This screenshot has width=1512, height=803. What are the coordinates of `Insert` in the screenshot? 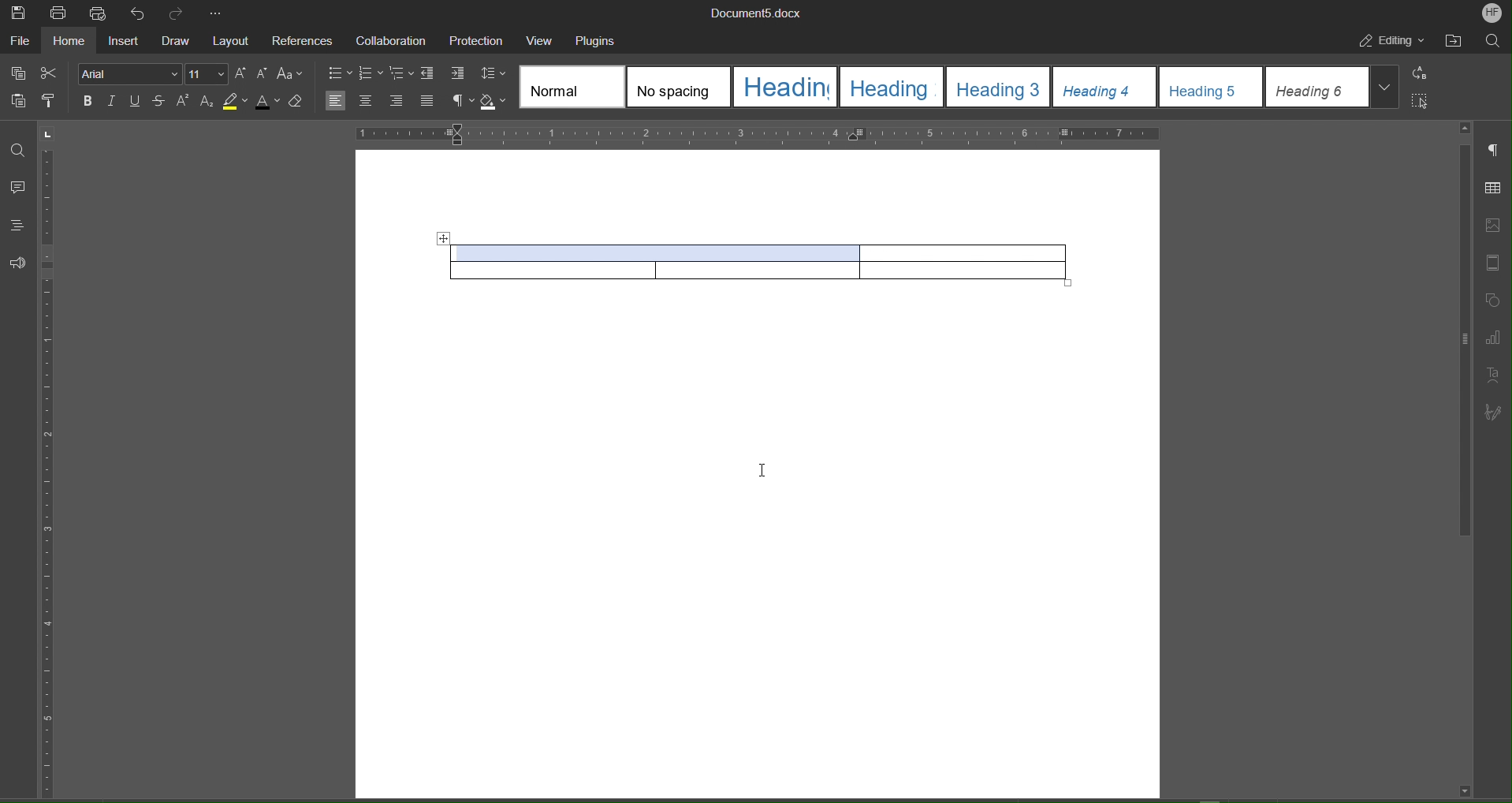 It's located at (127, 43).